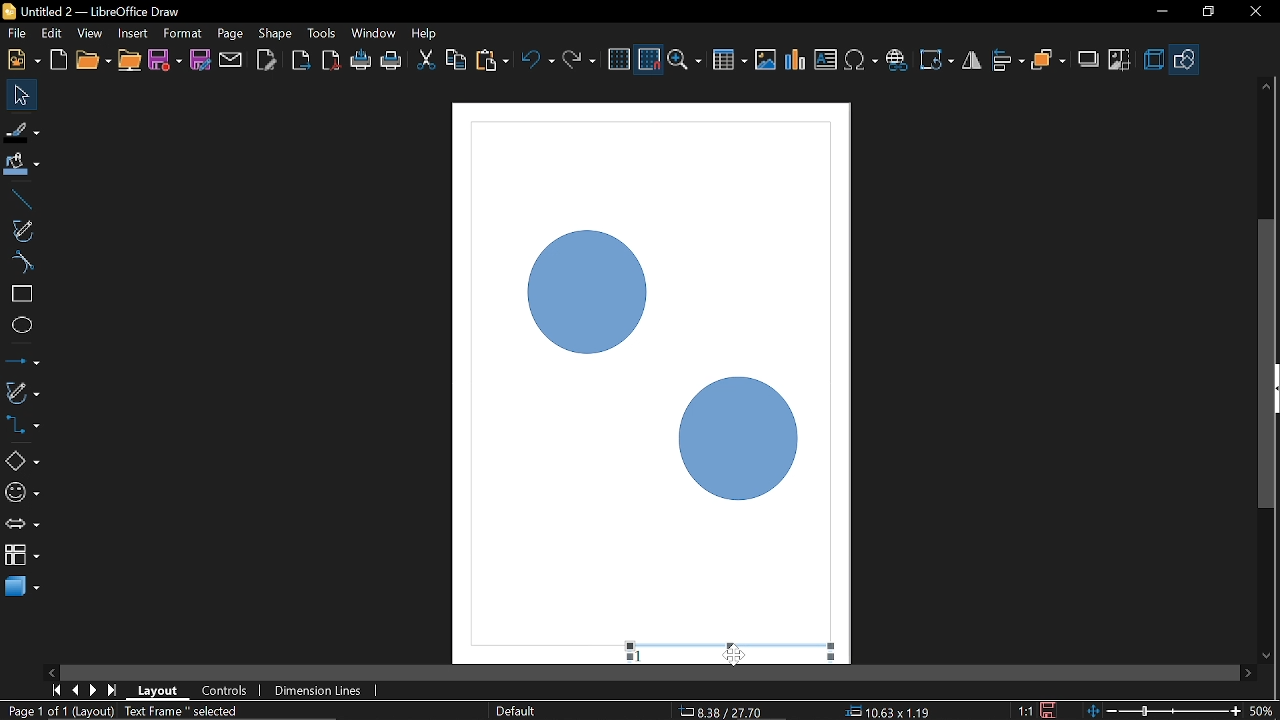 The width and height of the screenshot is (1280, 720). What do you see at coordinates (650, 60) in the screenshot?
I see `snap to grid` at bounding box center [650, 60].